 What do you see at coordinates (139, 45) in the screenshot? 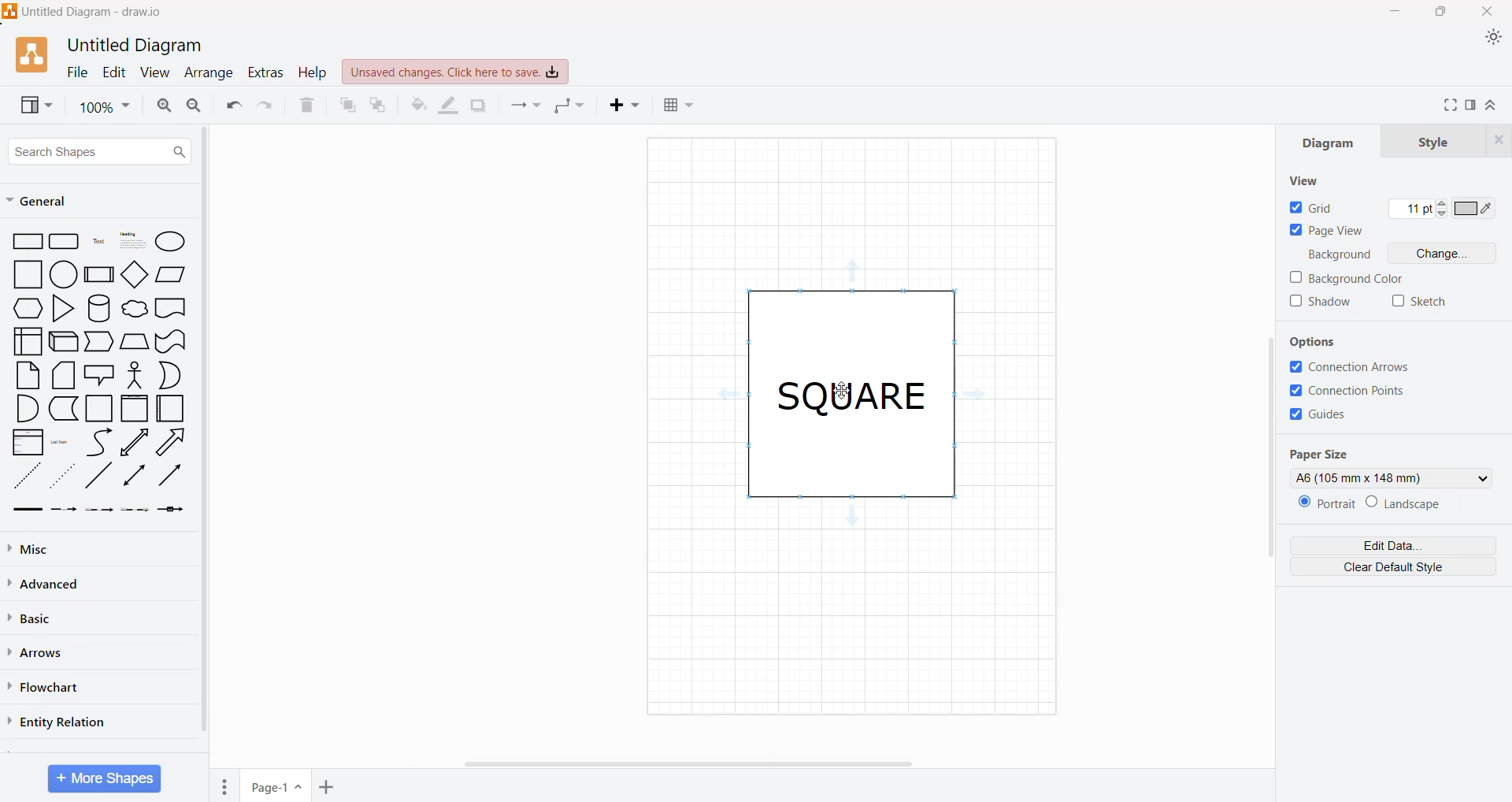
I see `Untitled Diagram` at bounding box center [139, 45].